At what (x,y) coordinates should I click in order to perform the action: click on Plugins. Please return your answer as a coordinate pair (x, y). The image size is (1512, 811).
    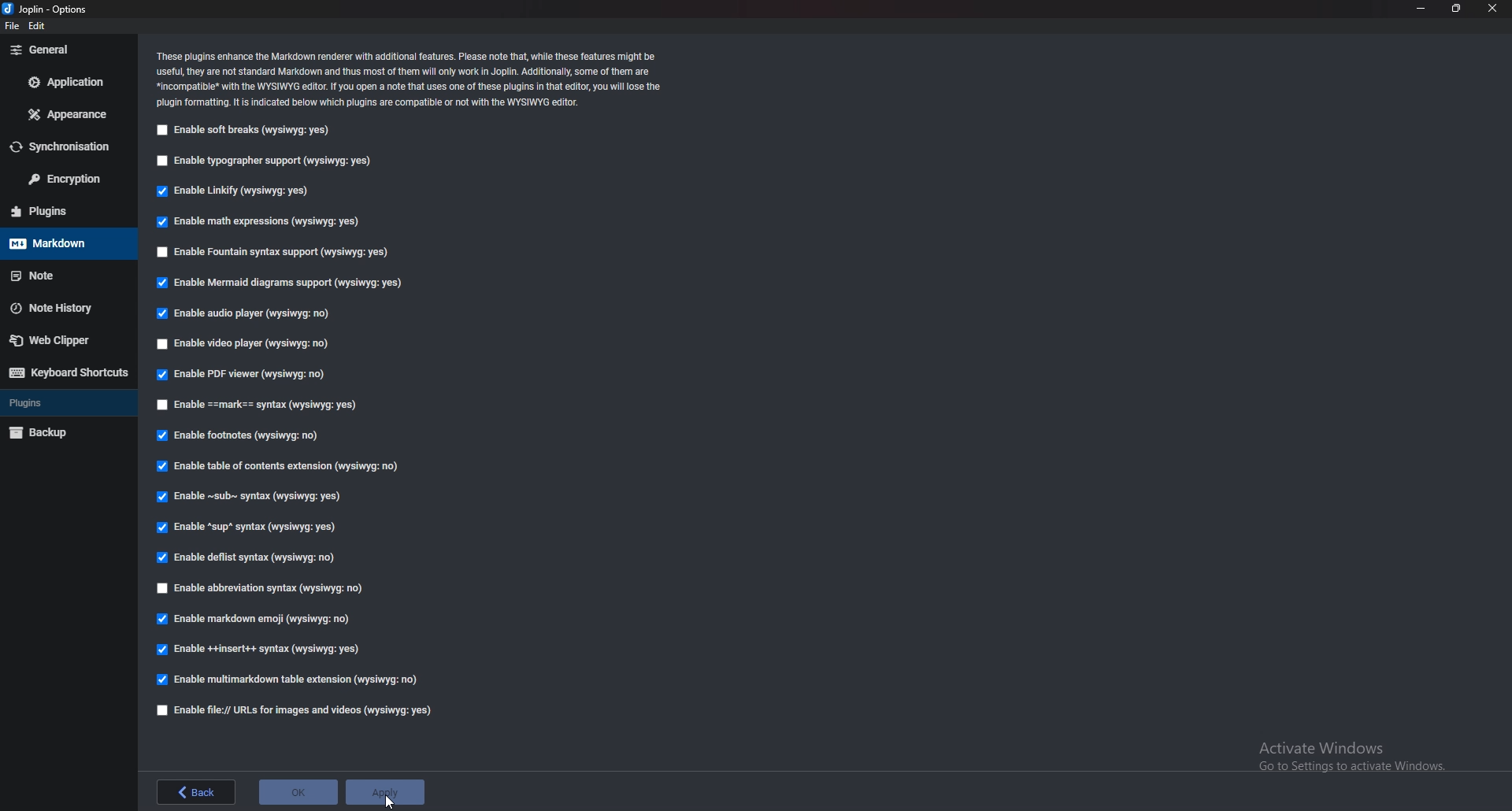
    Looking at the image, I should click on (60, 212).